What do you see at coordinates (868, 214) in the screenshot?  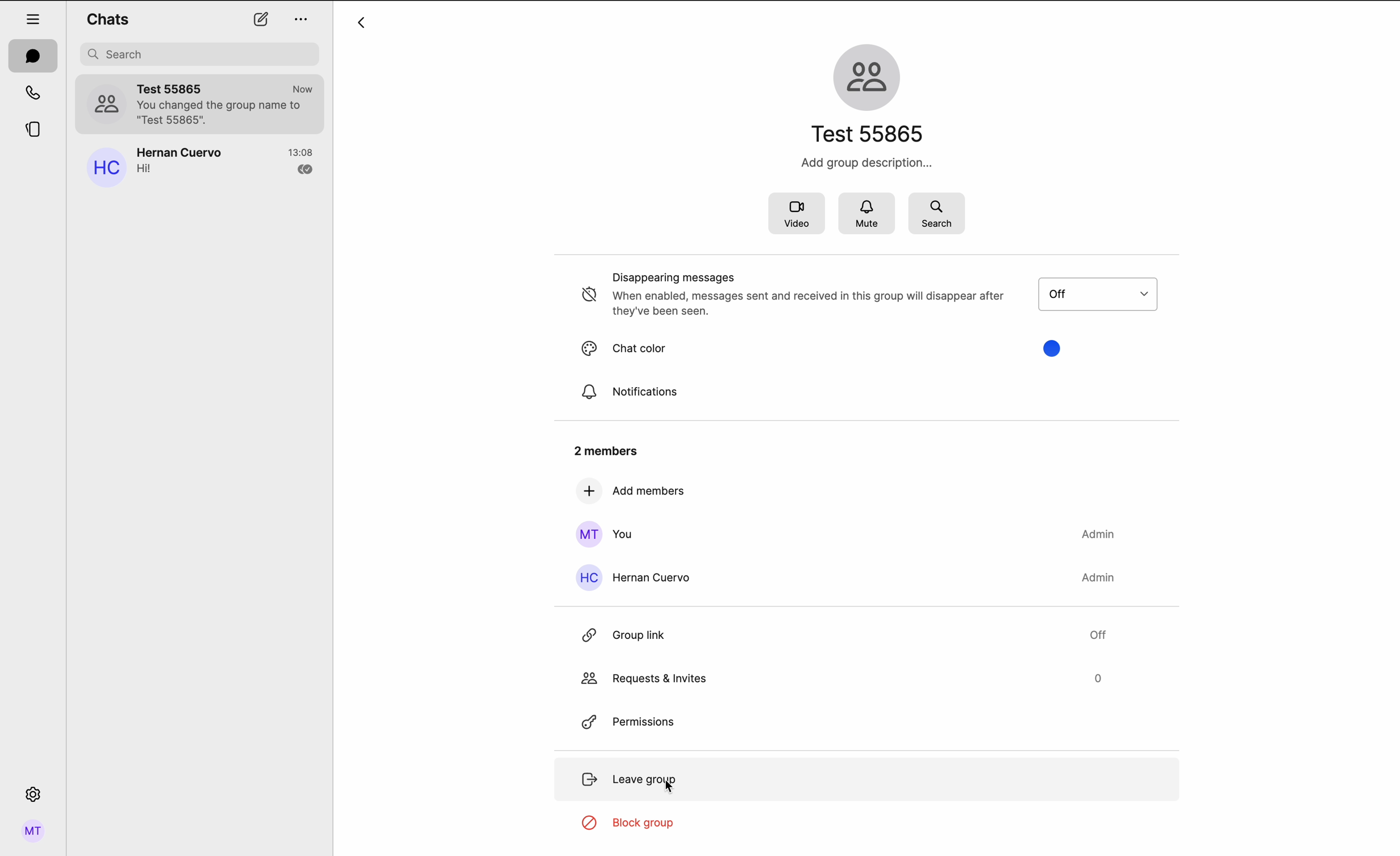 I see `mute button` at bounding box center [868, 214].